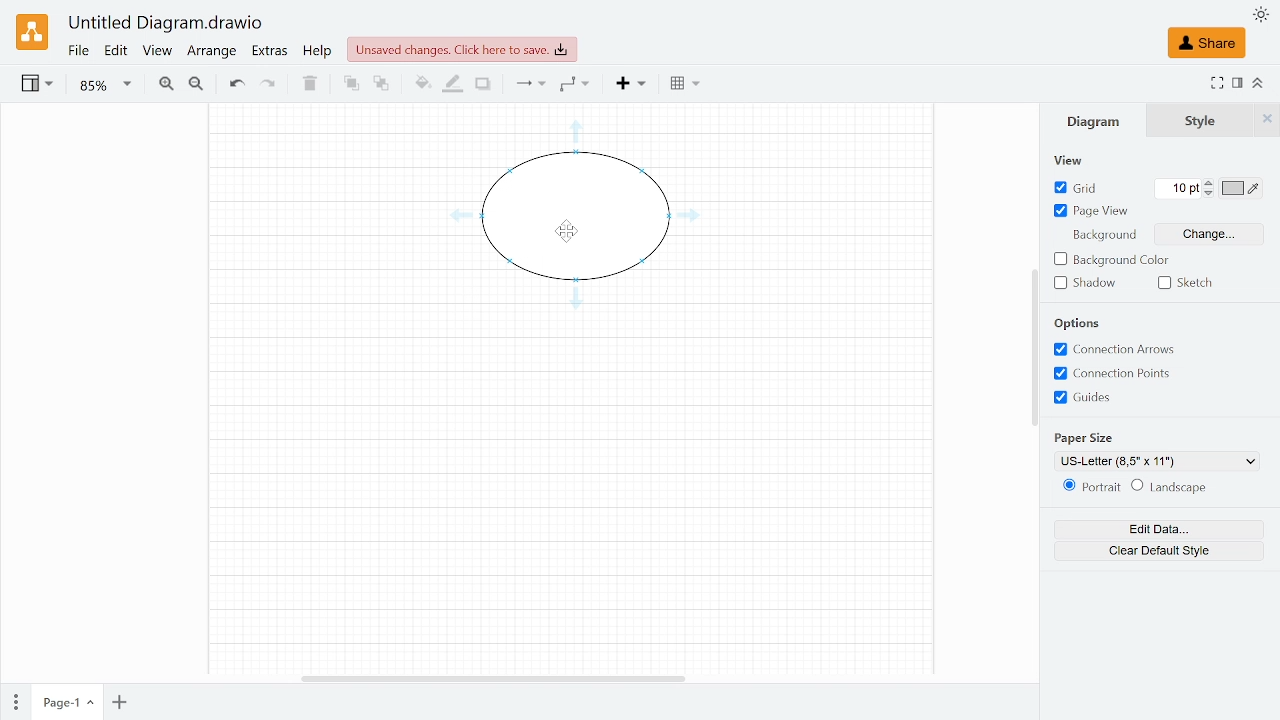  What do you see at coordinates (1209, 184) in the screenshot?
I see `Increase grid count` at bounding box center [1209, 184].